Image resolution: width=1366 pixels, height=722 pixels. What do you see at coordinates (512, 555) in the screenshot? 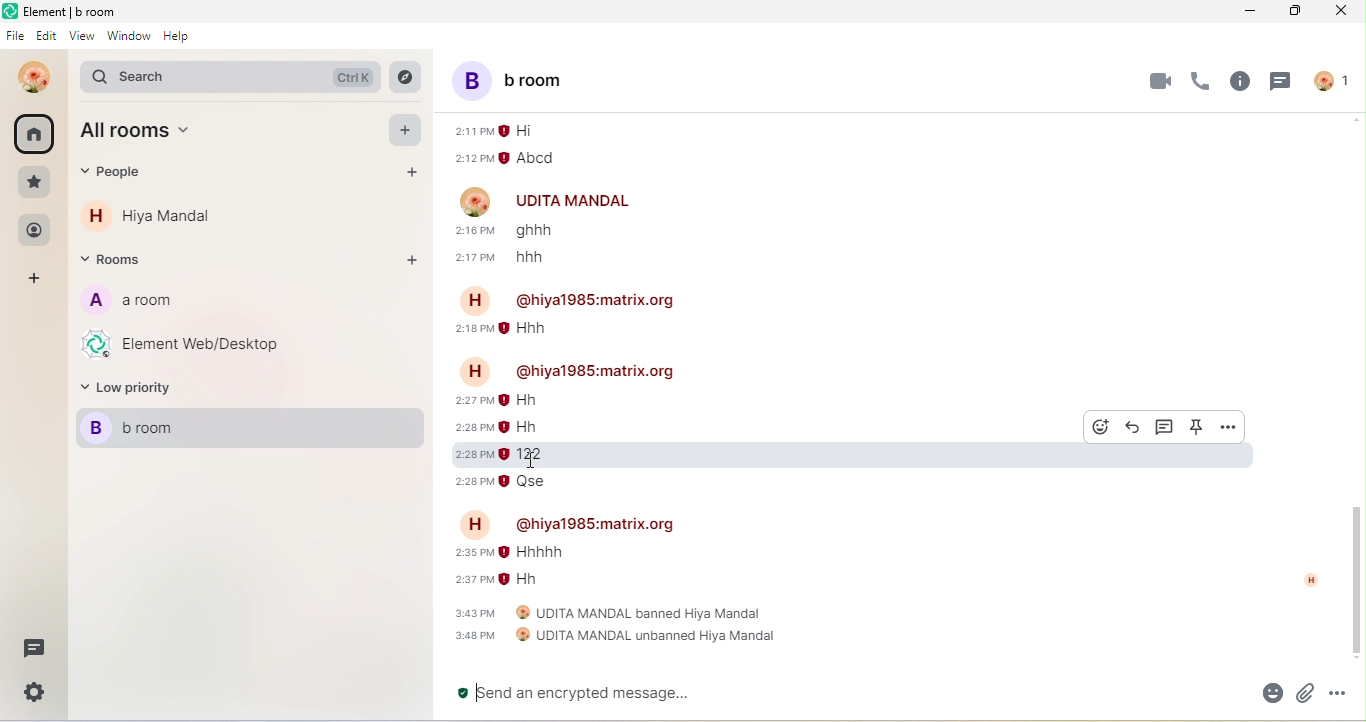
I see `2:35 pm Hhhhh` at bounding box center [512, 555].